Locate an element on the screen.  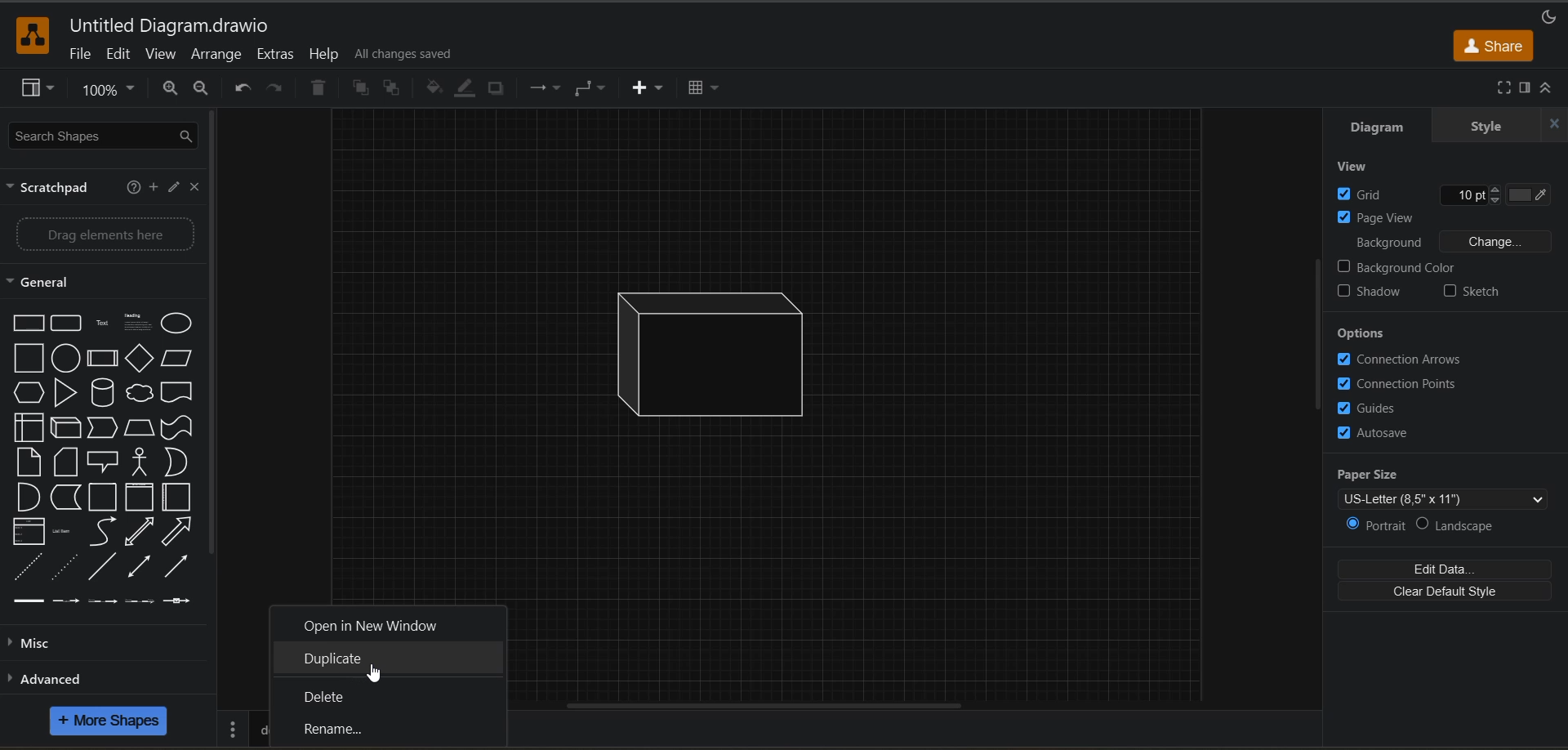
background color is located at coordinates (1396, 269).